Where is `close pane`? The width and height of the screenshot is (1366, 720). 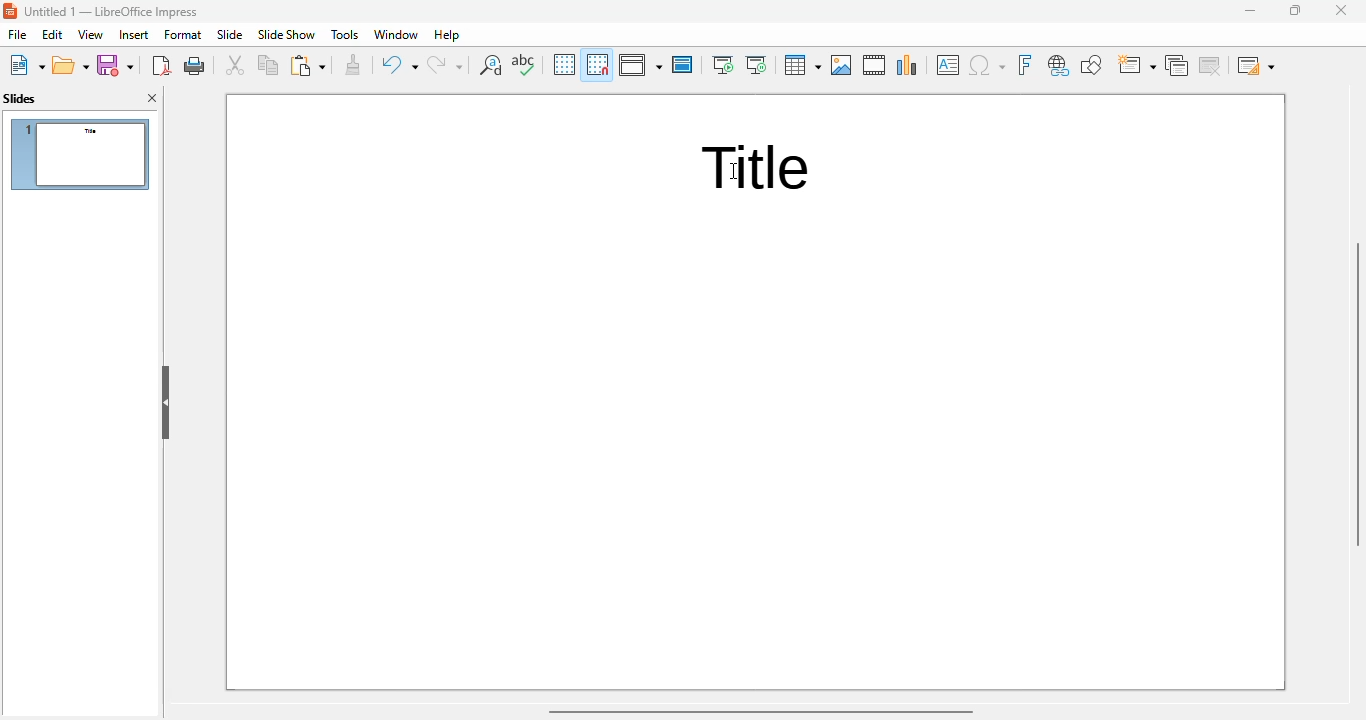 close pane is located at coordinates (153, 98).